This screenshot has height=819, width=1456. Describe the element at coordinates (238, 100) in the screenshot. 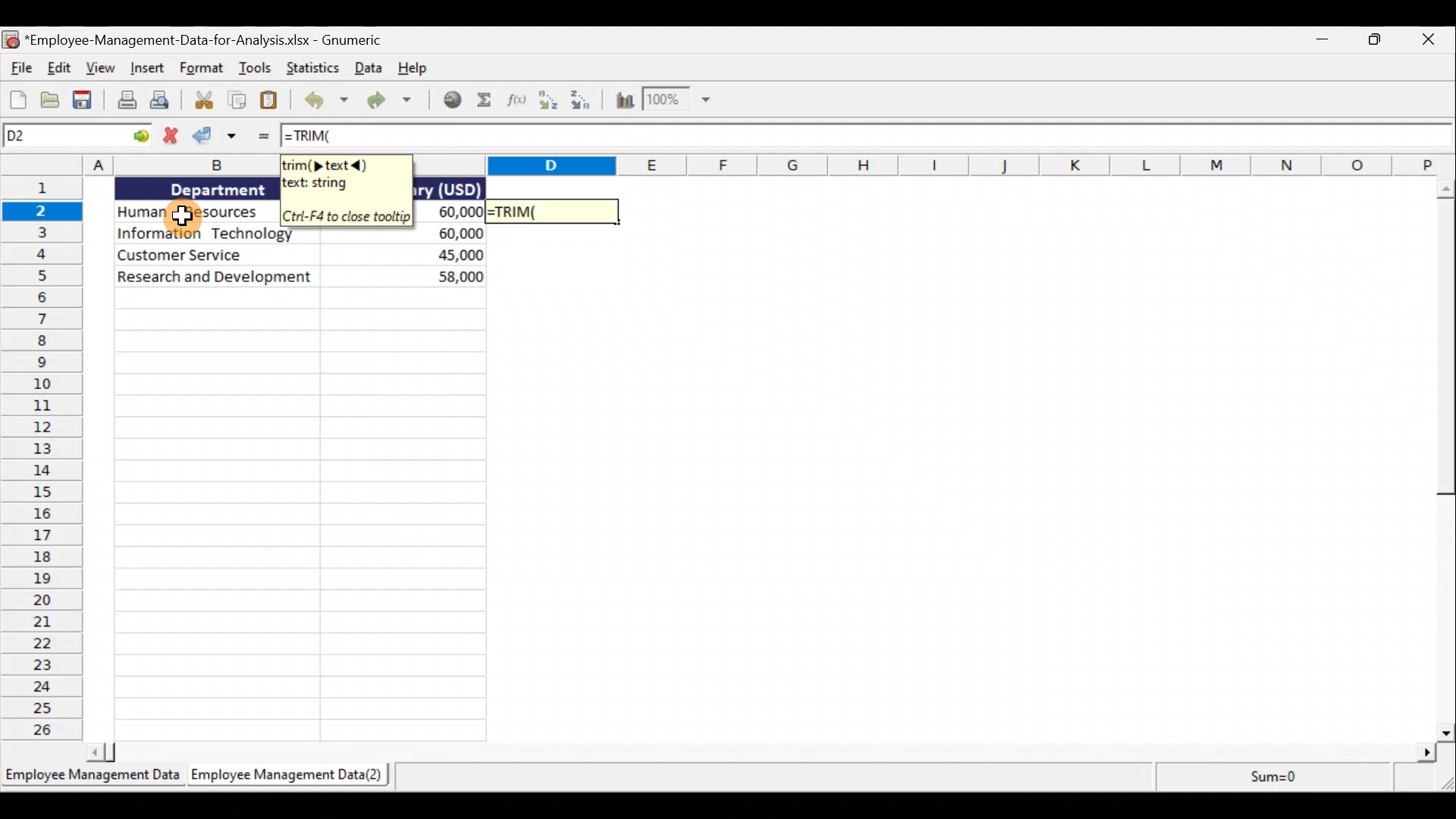

I see `Copy the selection` at that location.